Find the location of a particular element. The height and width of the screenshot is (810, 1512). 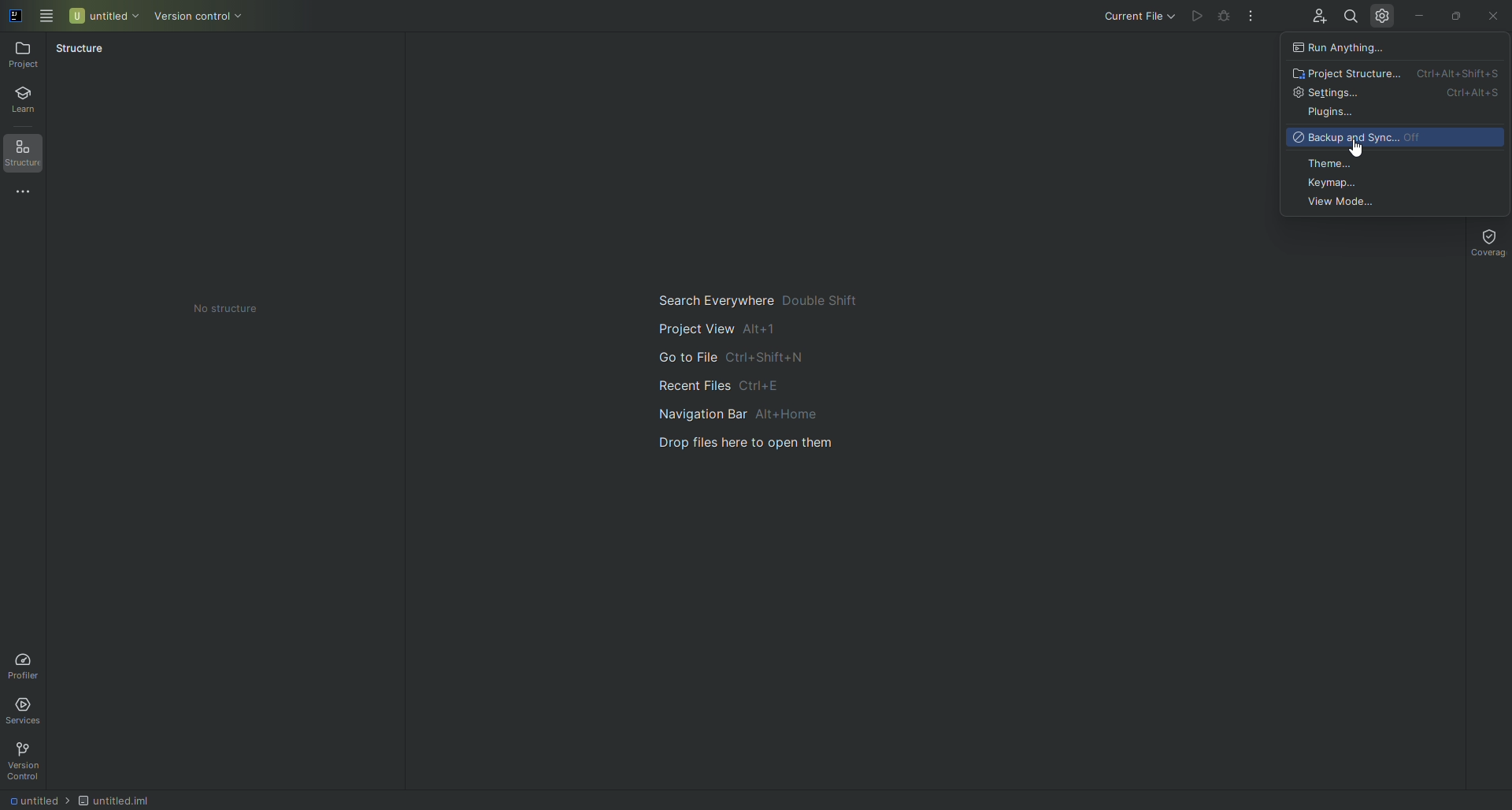

Backup and Sync is located at coordinates (1365, 137).